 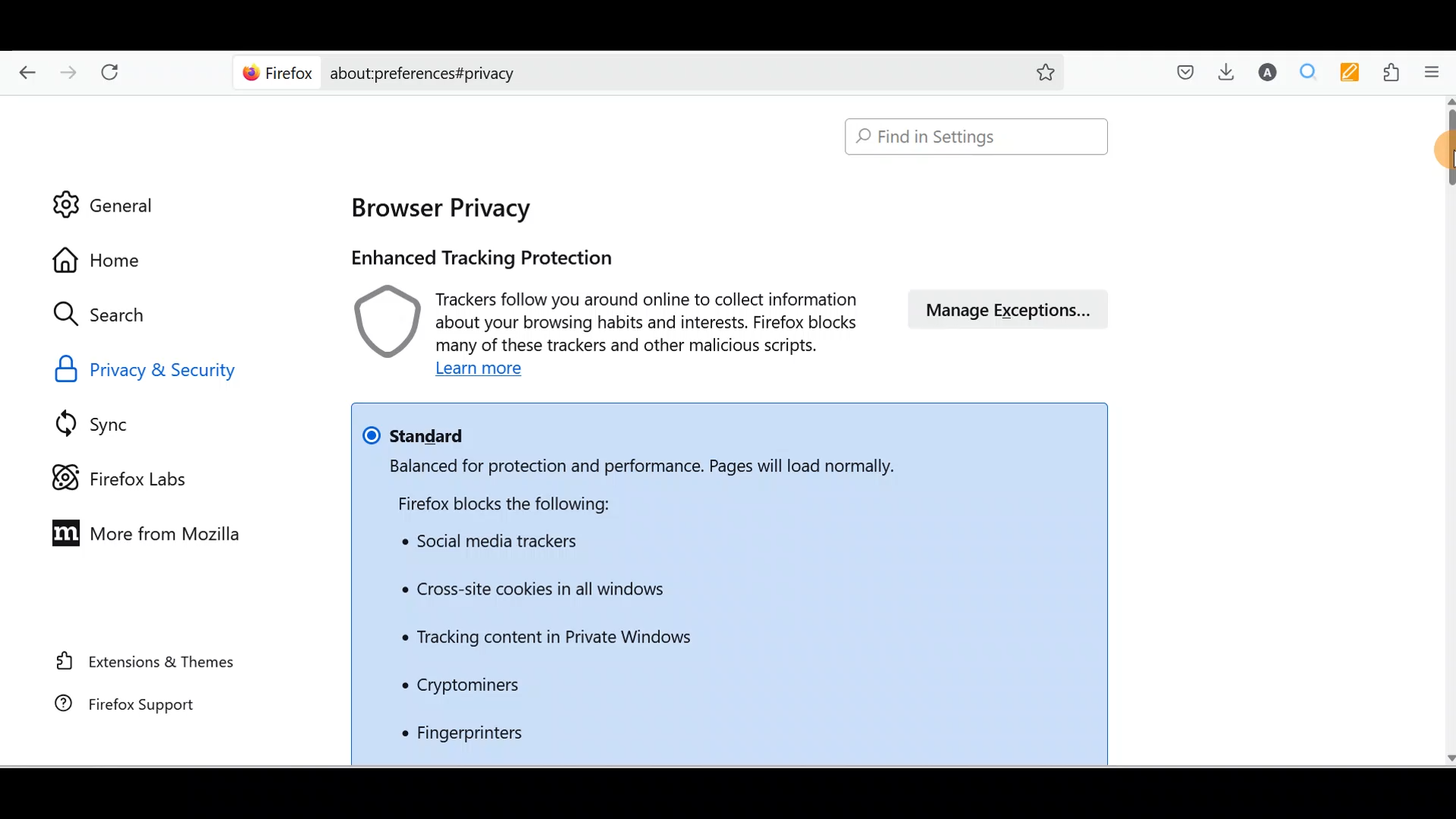 What do you see at coordinates (112, 71) in the screenshot?
I see `Reload current page` at bounding box center [112, 71].